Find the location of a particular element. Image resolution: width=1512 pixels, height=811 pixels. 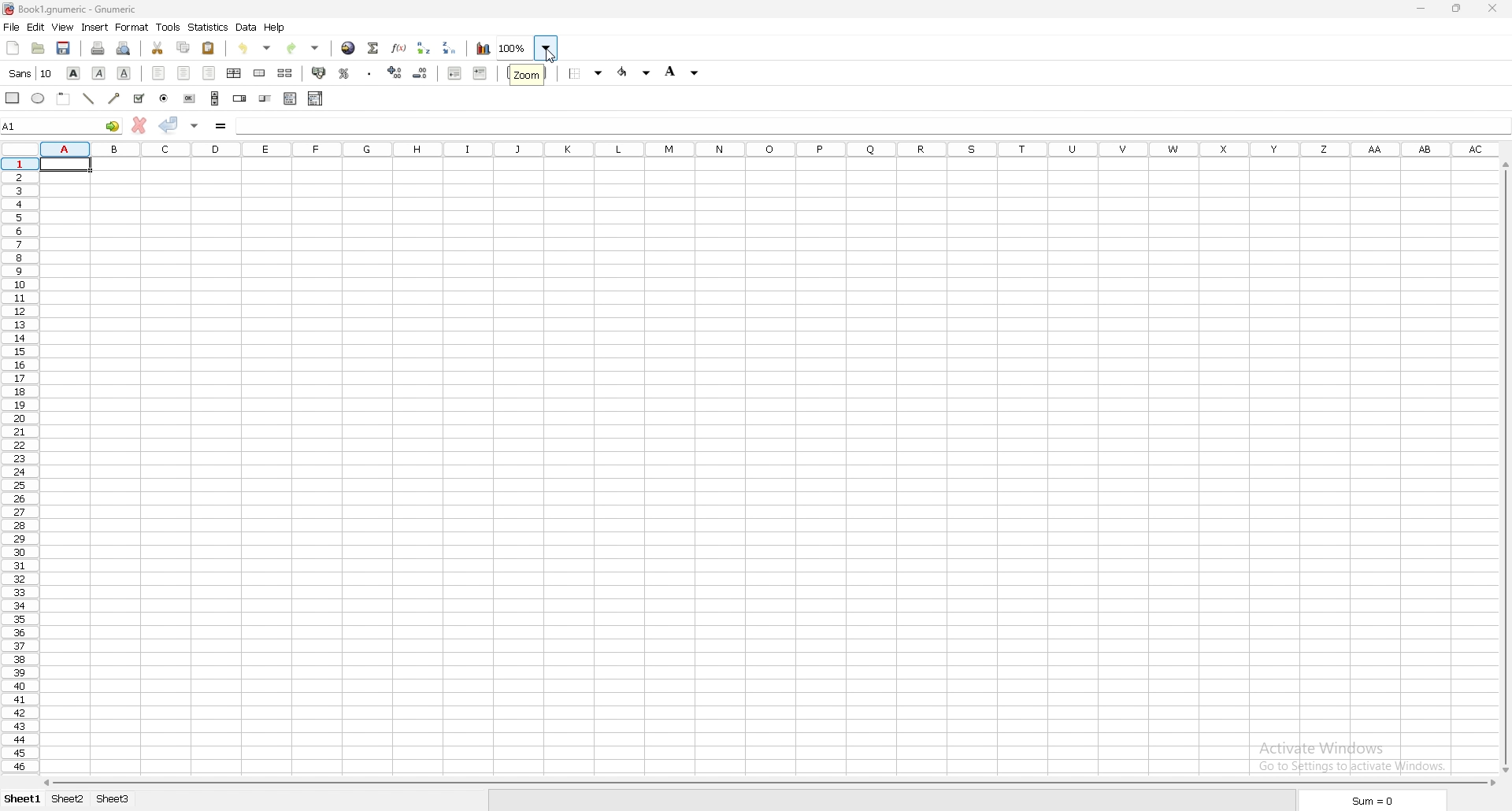

new is located at coordinates (13, 47).